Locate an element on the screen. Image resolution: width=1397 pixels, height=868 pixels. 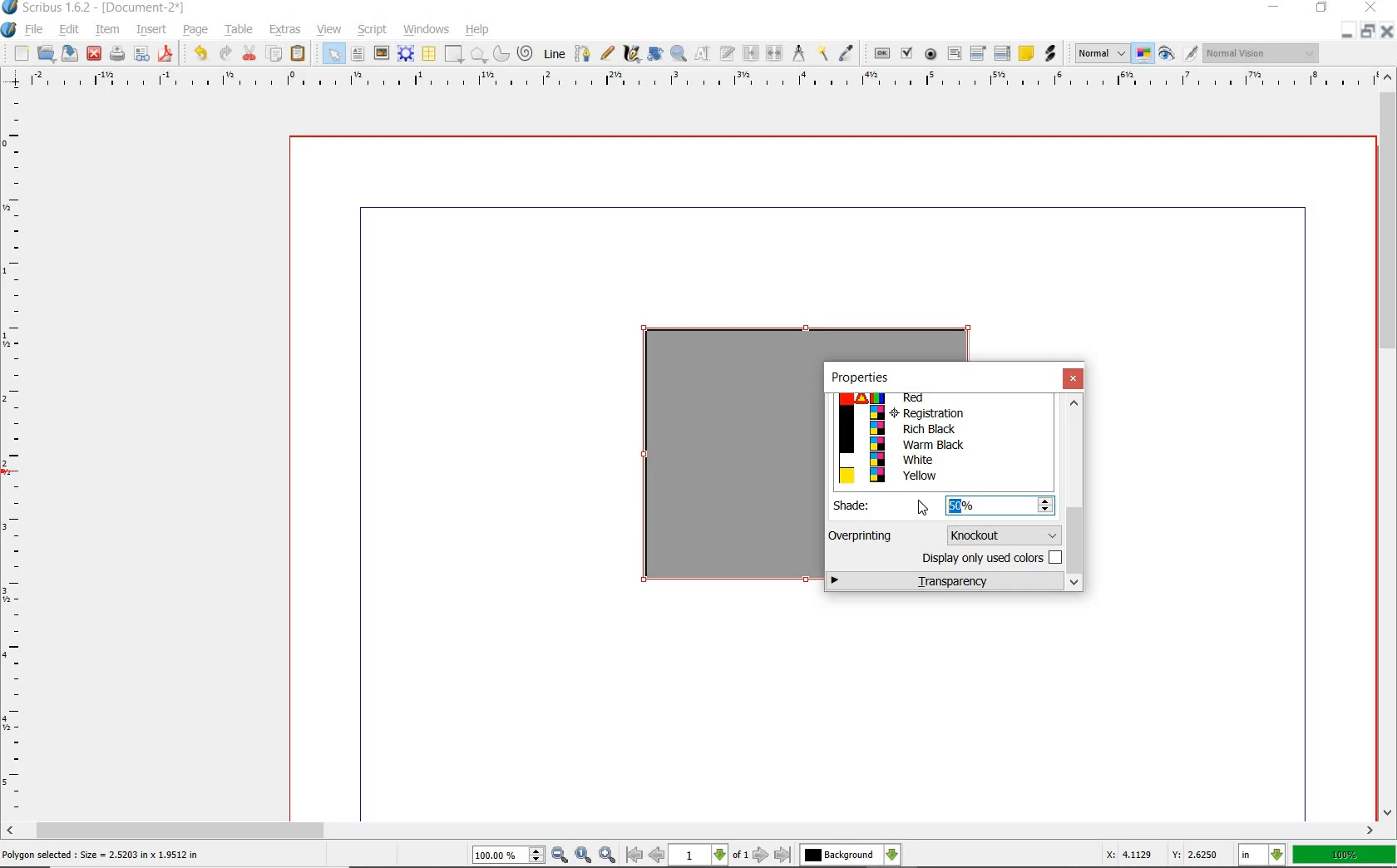
go to first page is located at coordinates (634, 856).